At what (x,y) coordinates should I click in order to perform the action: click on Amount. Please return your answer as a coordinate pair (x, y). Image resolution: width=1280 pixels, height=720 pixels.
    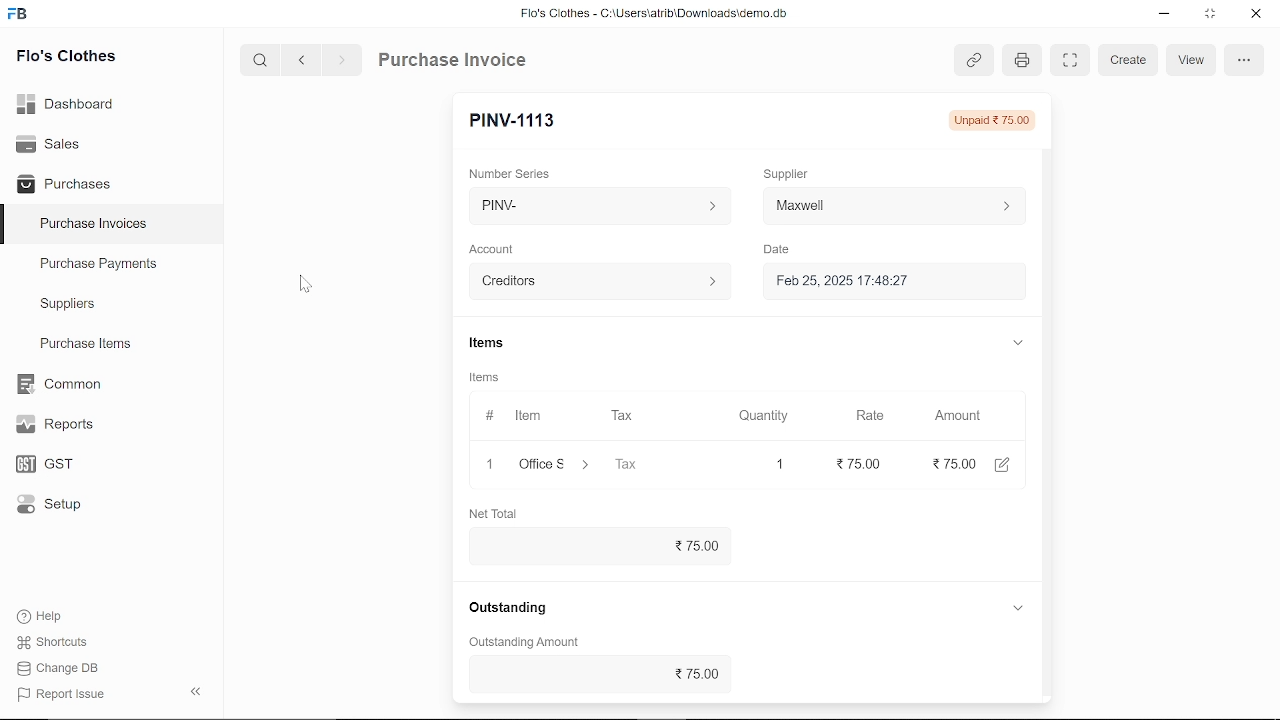
    Looking at the image, I should click on (956, 414).